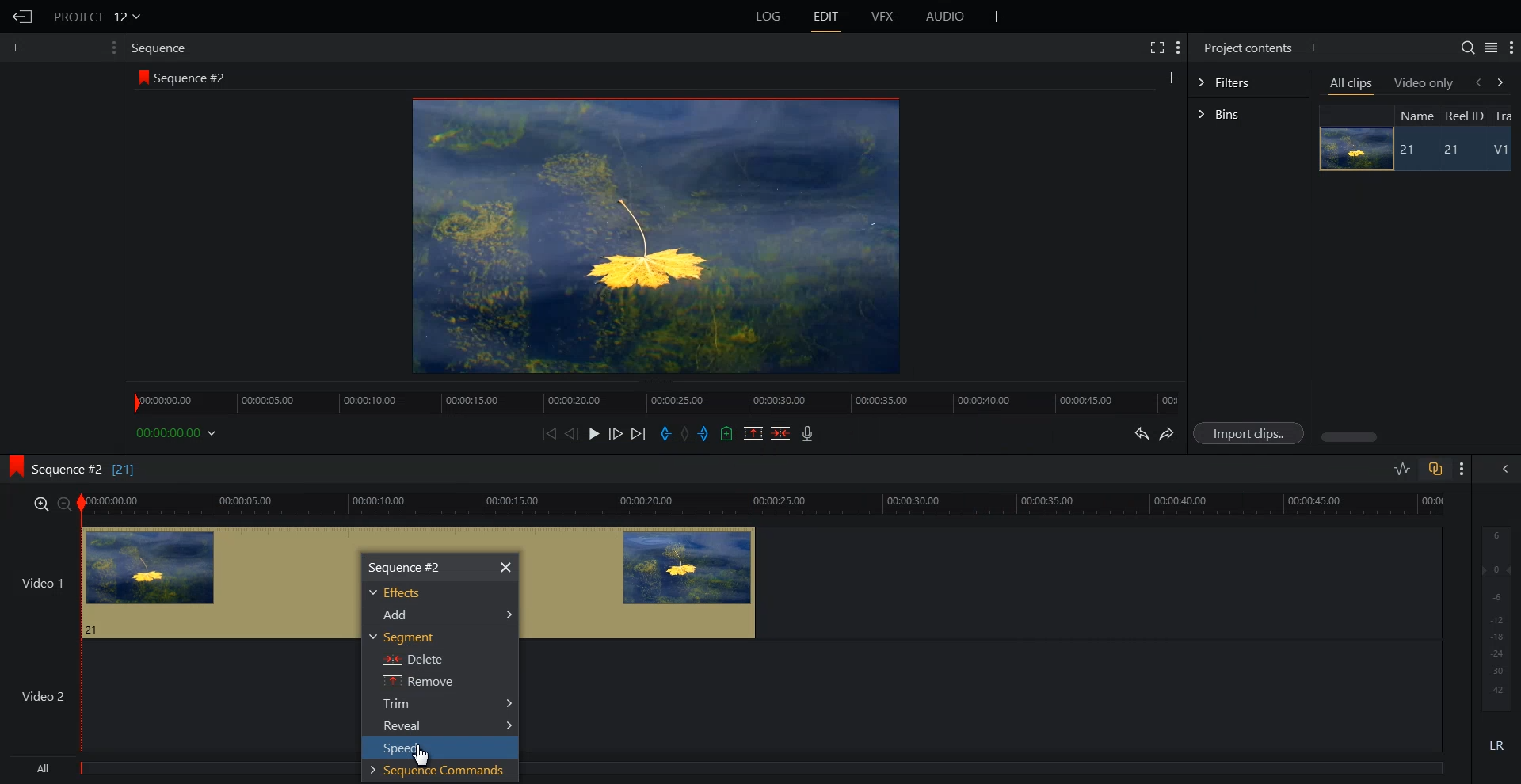 Image resolution: width=1521 pixels, height=784 pixels. I want to click on Remove, so click(417, 683).